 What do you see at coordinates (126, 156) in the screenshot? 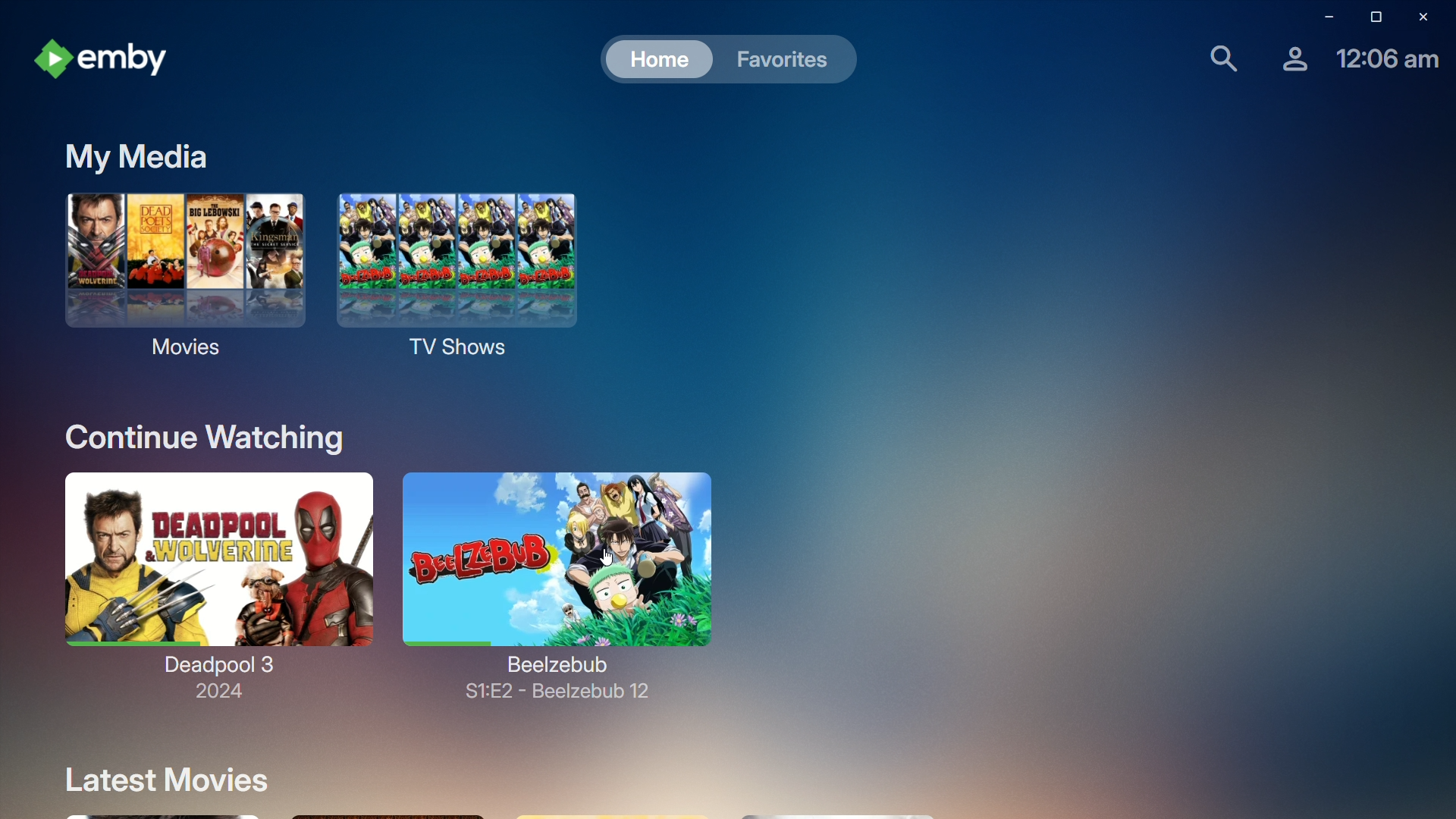
I see `My media` at bounding box center [126, 156].